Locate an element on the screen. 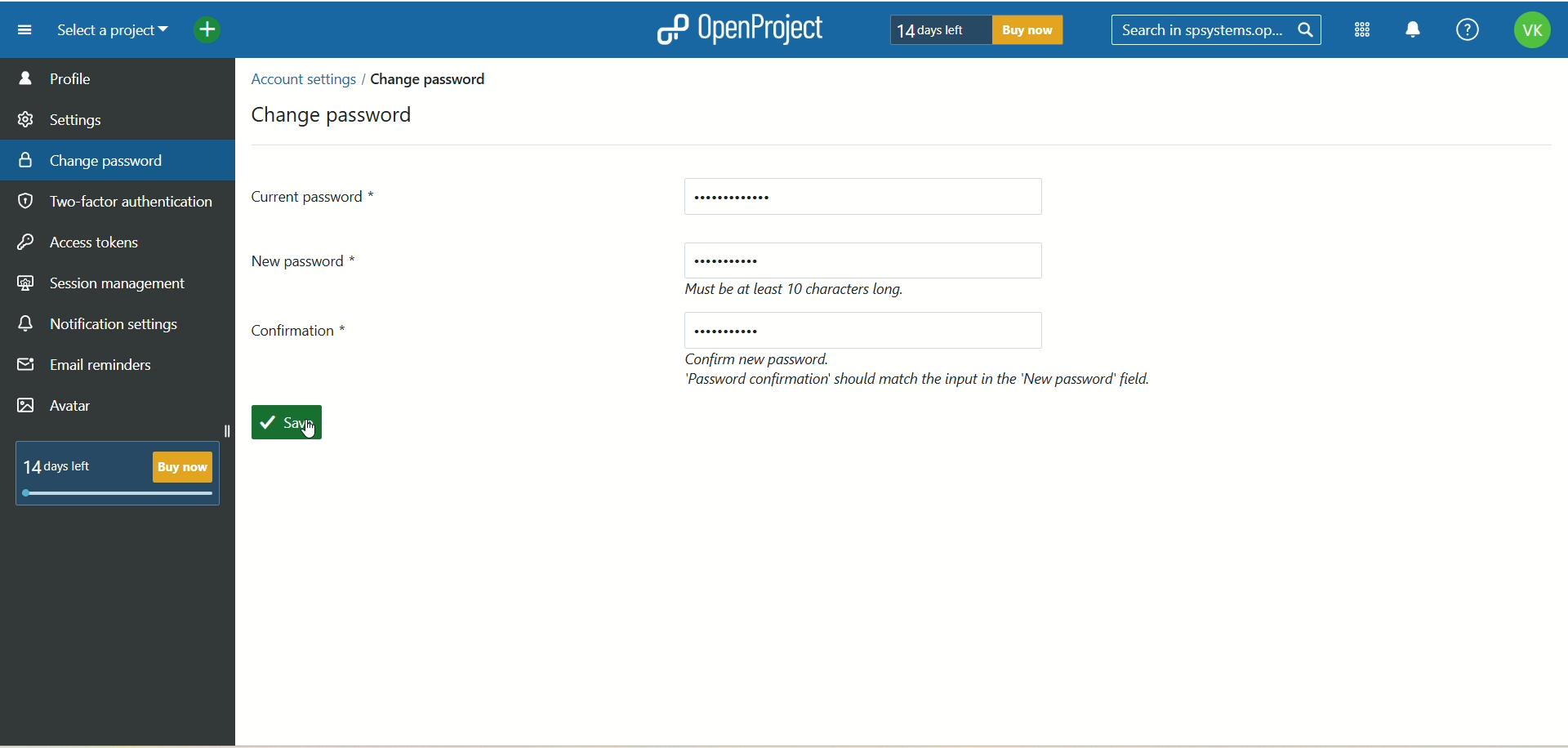  text is located at coordinates (922, 369).